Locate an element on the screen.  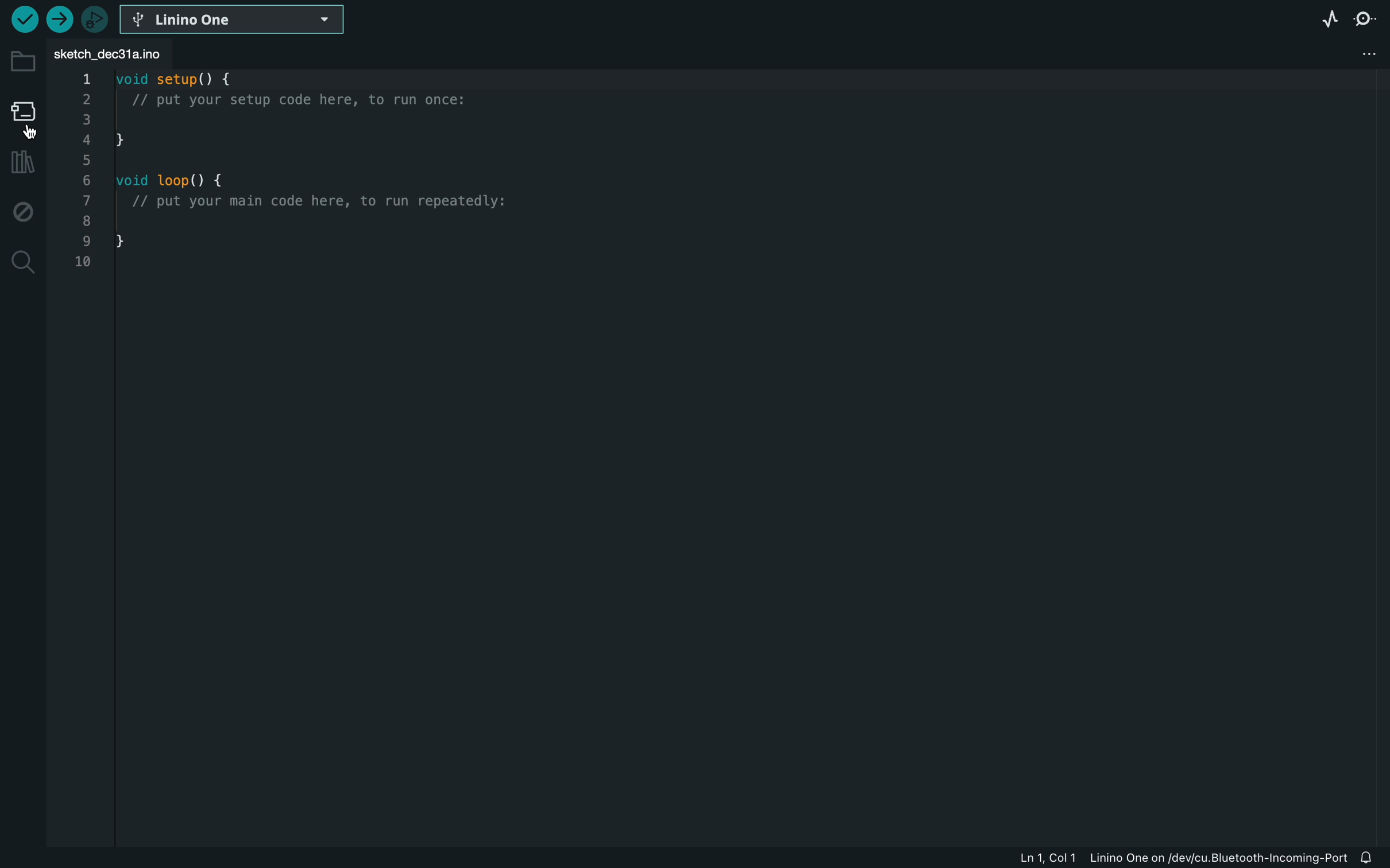
library manager is located at coordinates (20, 163).